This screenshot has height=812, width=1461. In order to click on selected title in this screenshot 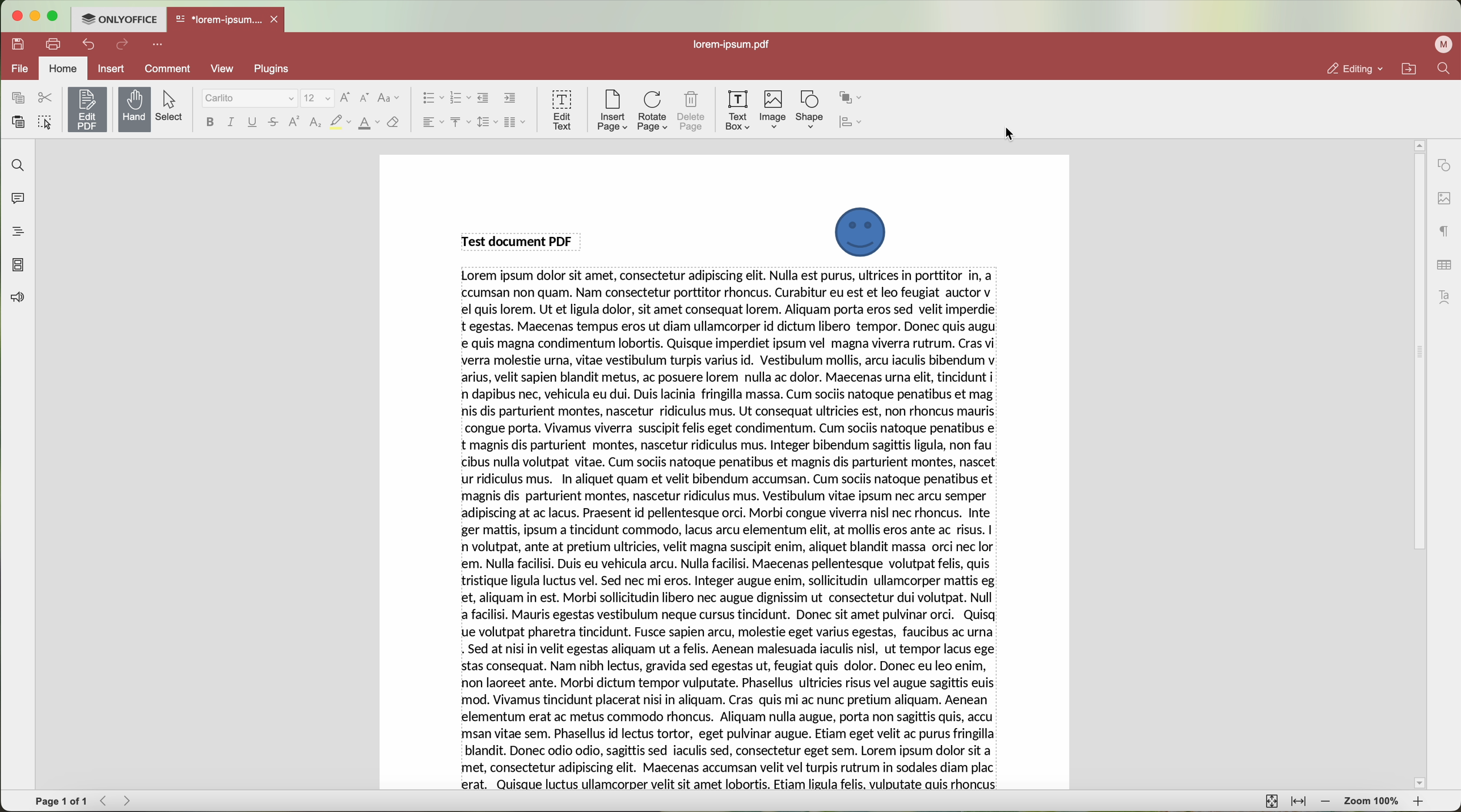, I will do `click(521, 240)`.